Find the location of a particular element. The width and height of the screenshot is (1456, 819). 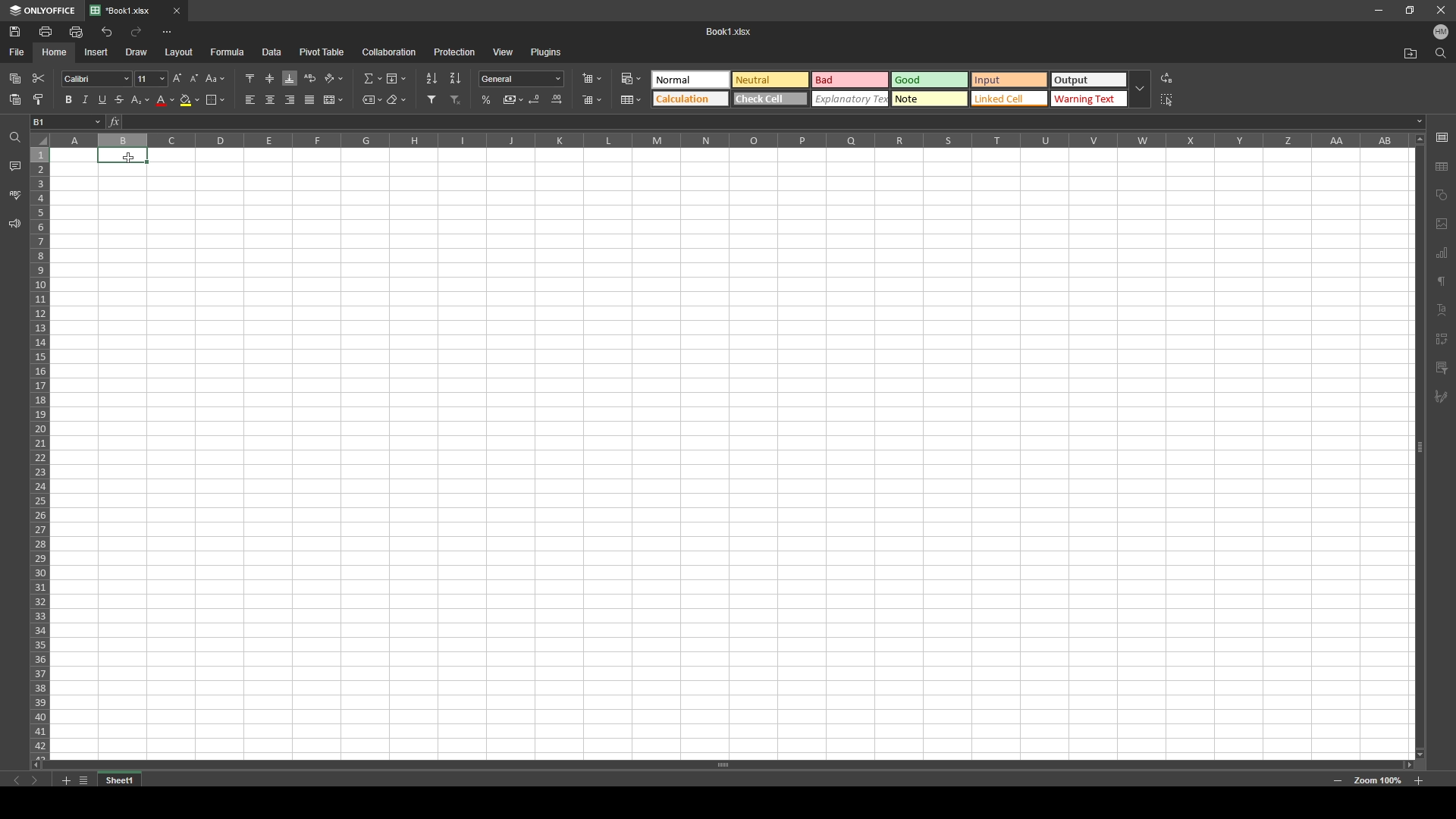

Good is located at coordinates (930, 80).